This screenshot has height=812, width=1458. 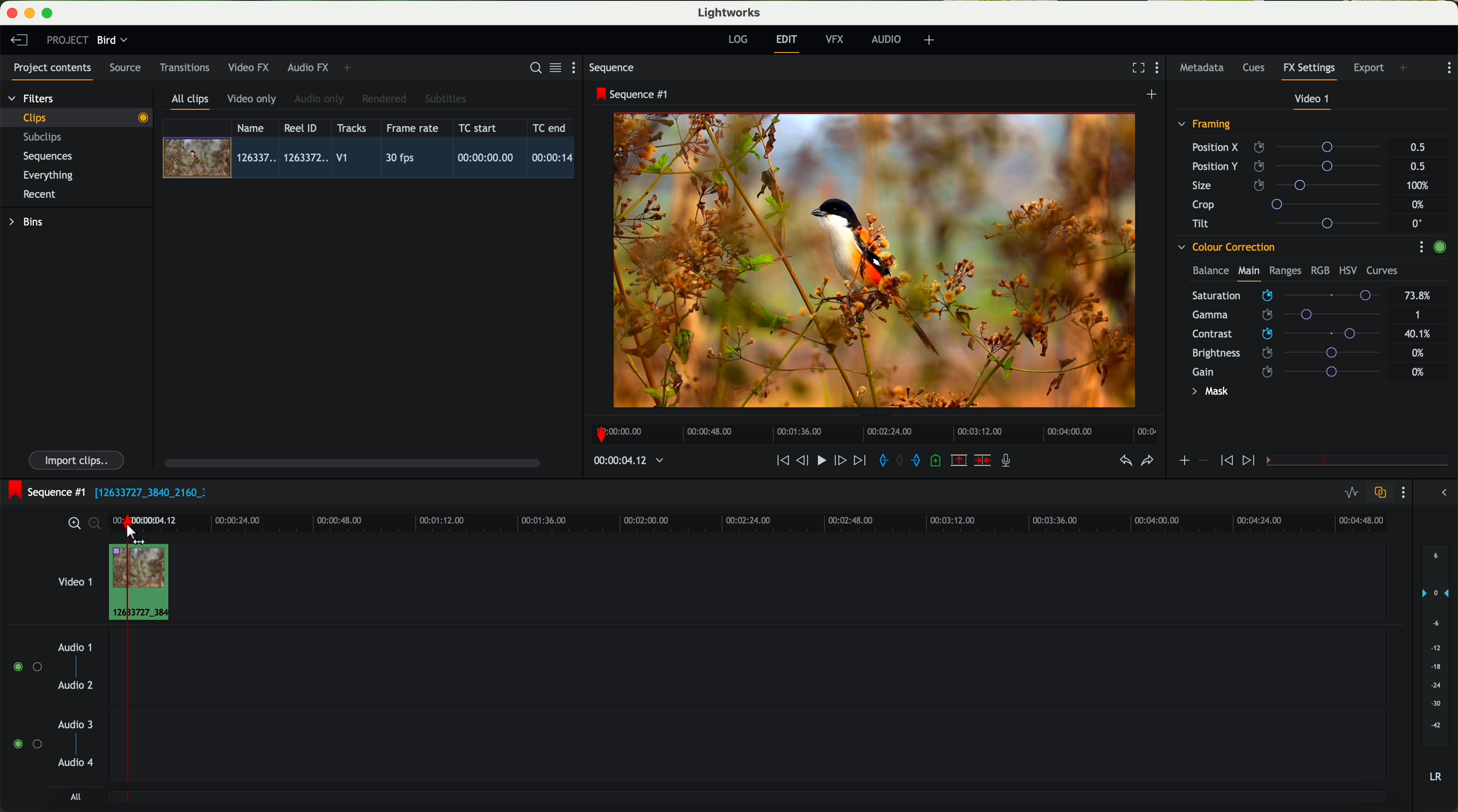 What do you see at coordinates (877, 260) in the screenshot?
I see `applied effect` at bounding box center [877, 260].